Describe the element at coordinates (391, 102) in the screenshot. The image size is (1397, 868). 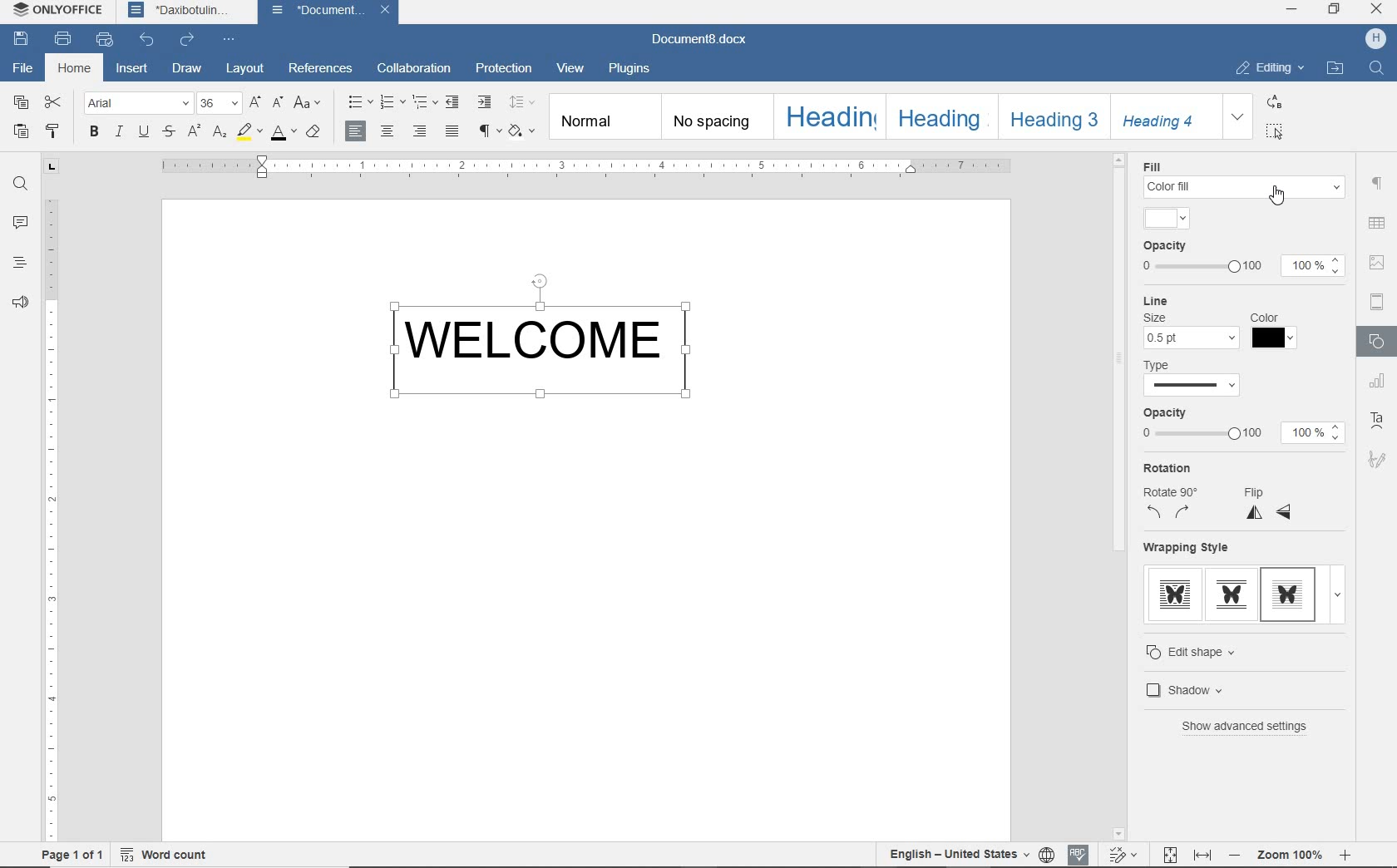
I see `NUMBERING` at that location.